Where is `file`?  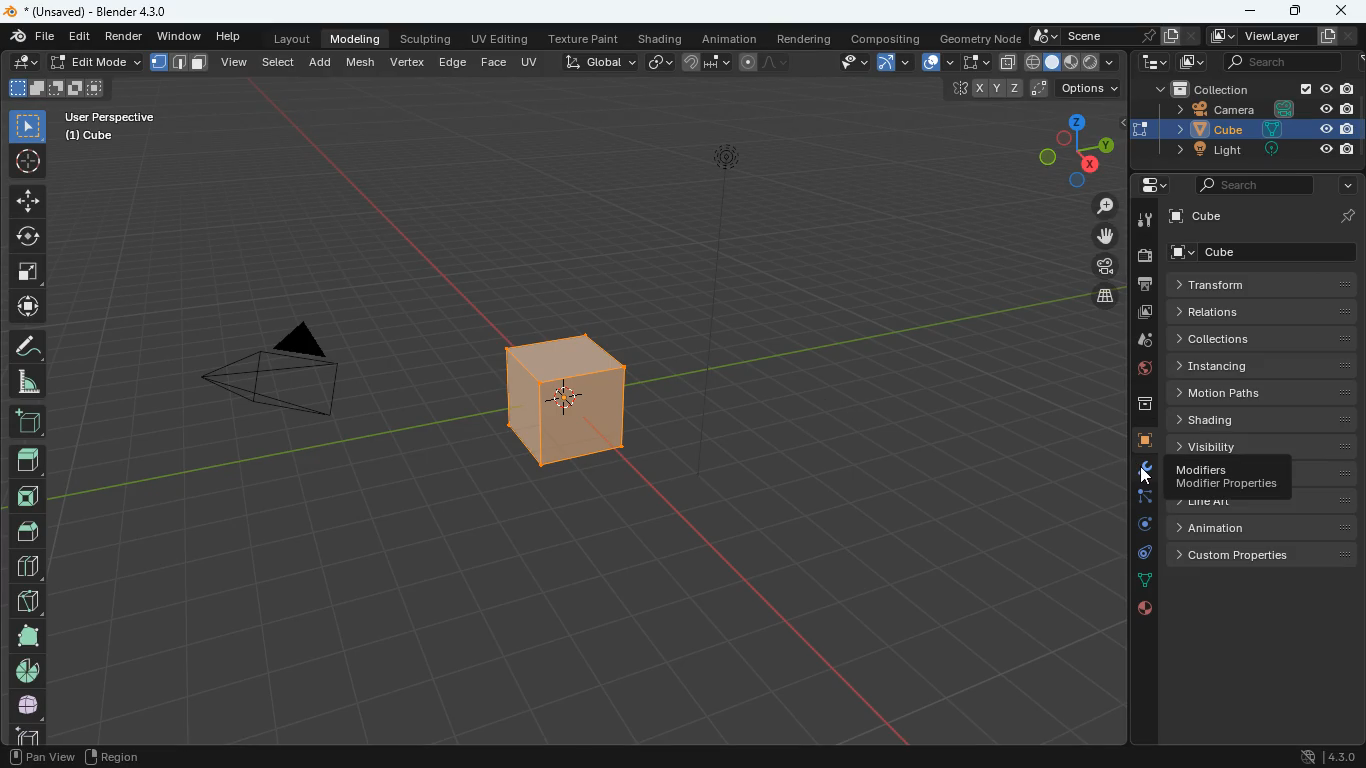
file is located at coordinates (32, 36).